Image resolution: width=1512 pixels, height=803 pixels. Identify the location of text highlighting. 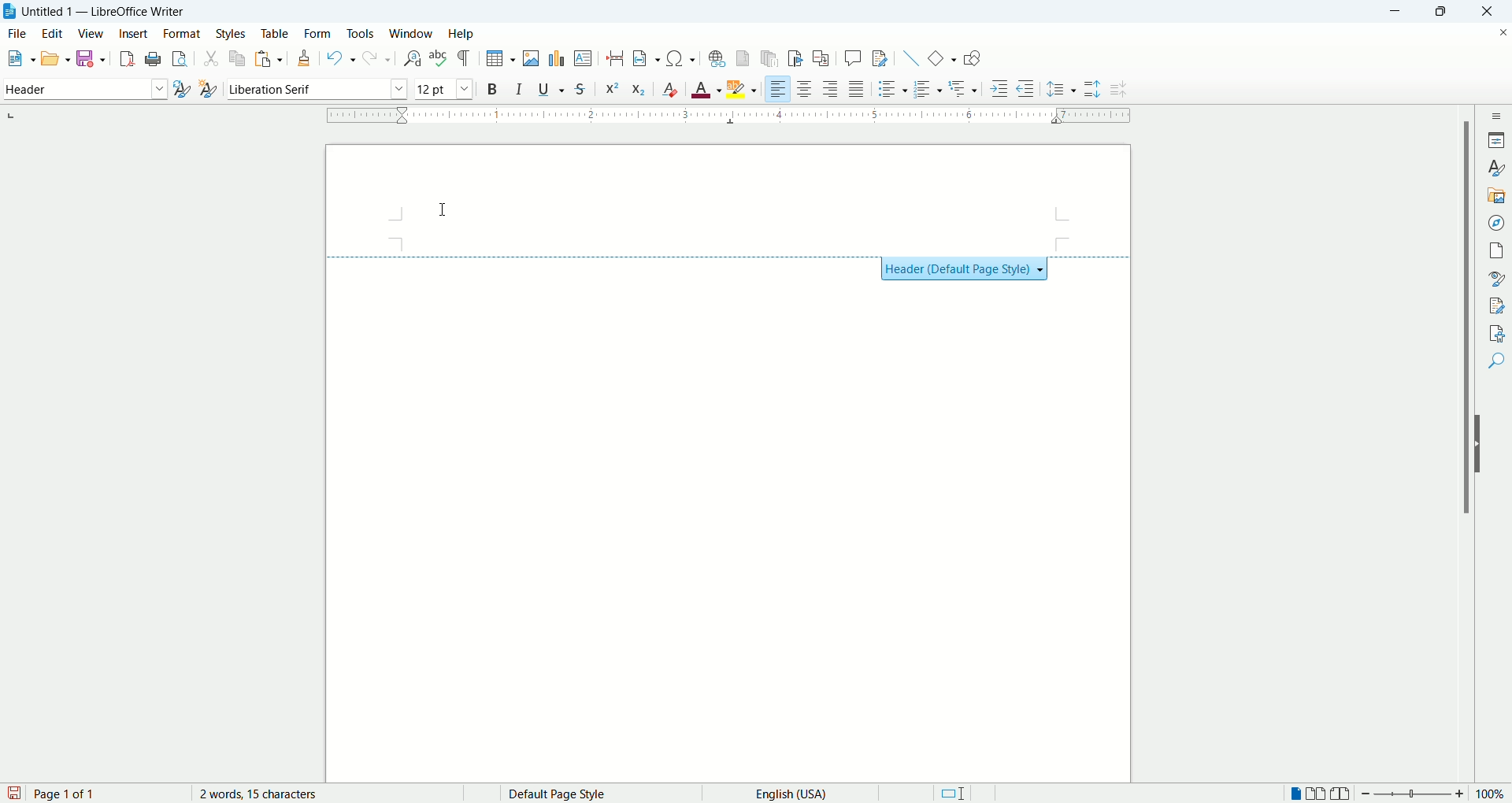
(743, 90).